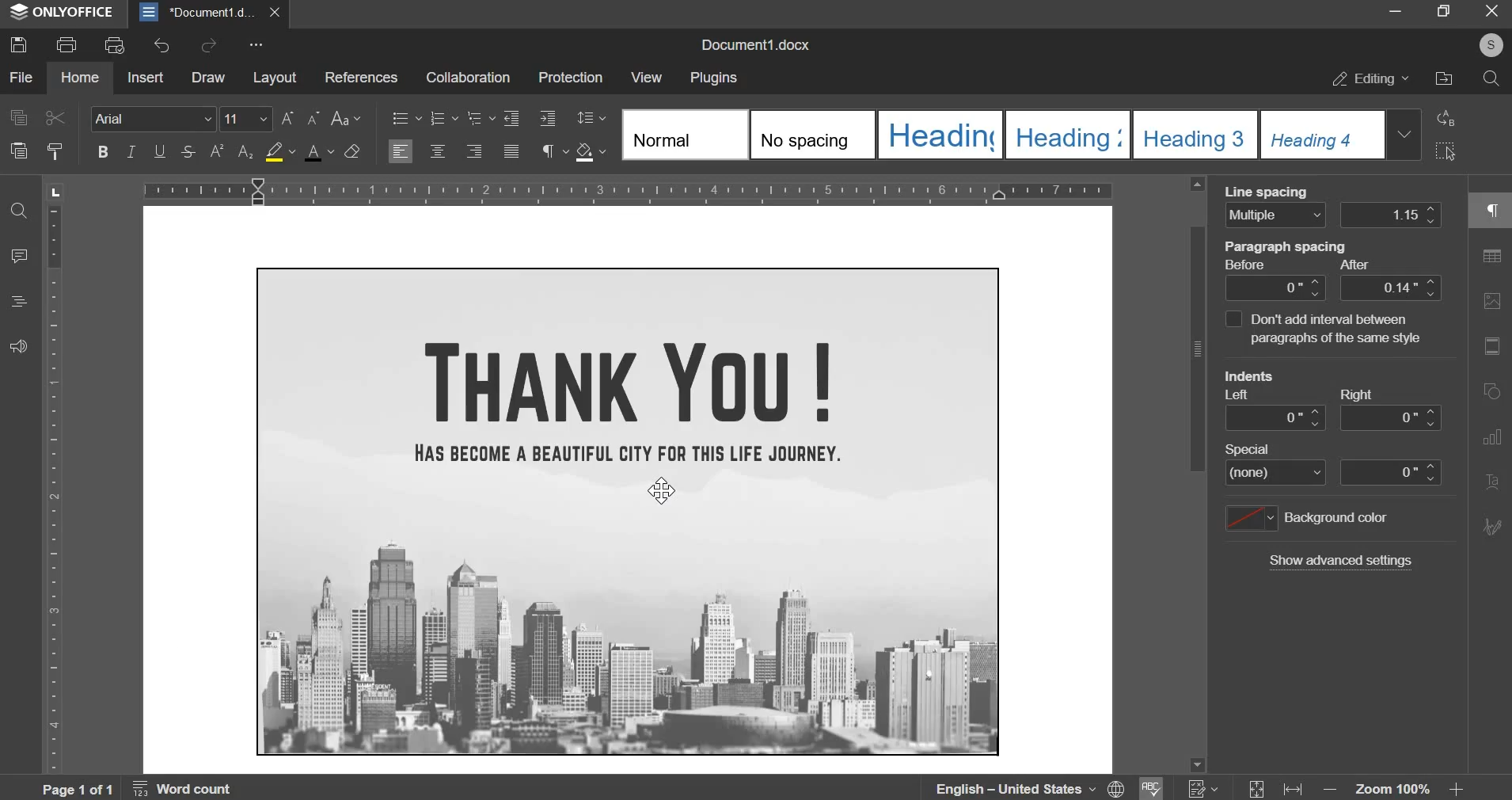 This screenshot has height=800, width=1512. What do you see at coordinates (256, 46) in the screenshot?
I see `customize` at bounding box center [256, 46].